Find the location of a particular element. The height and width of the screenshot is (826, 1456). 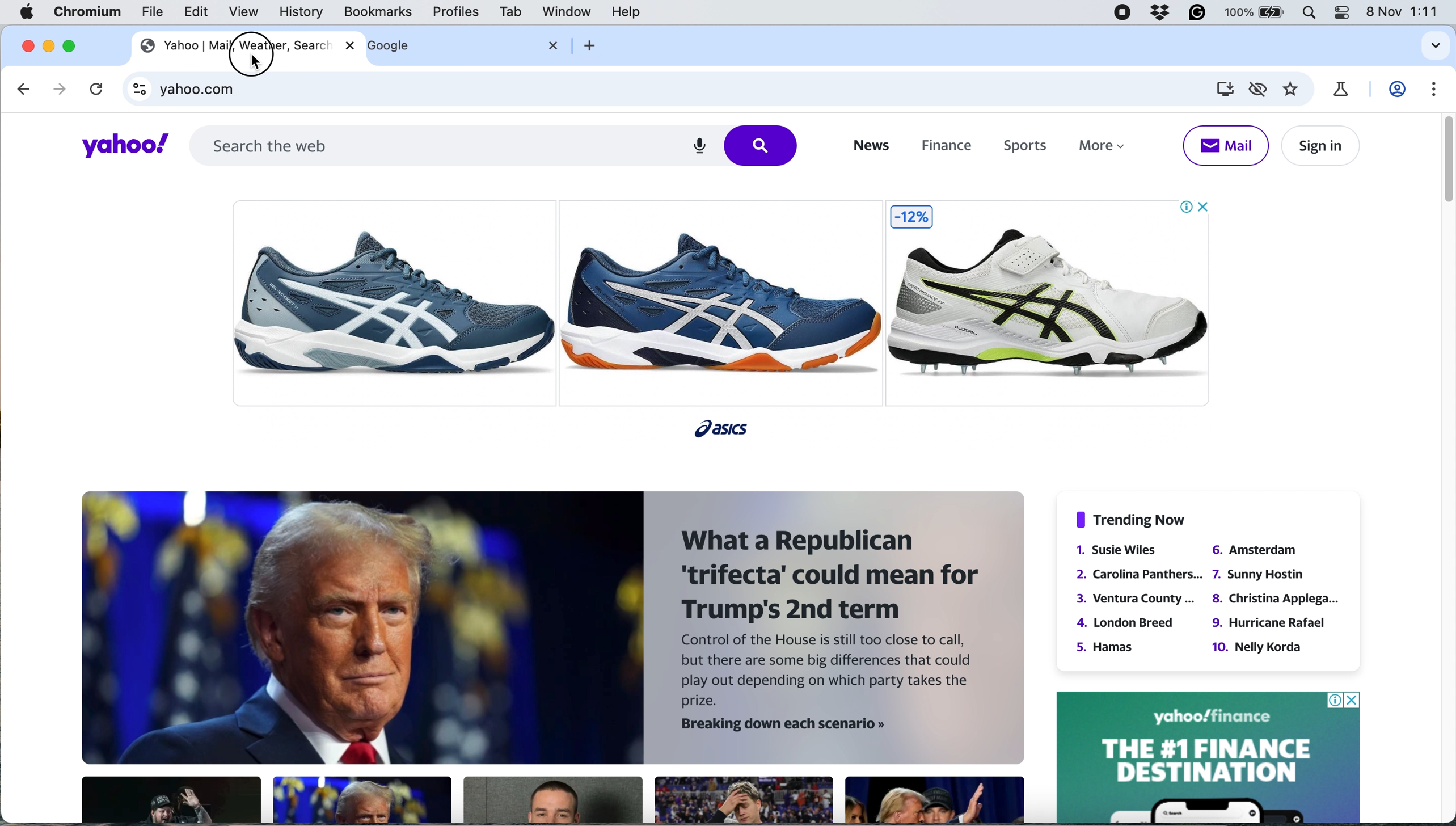

yahoo ad is located at coordinates (1208, 756).